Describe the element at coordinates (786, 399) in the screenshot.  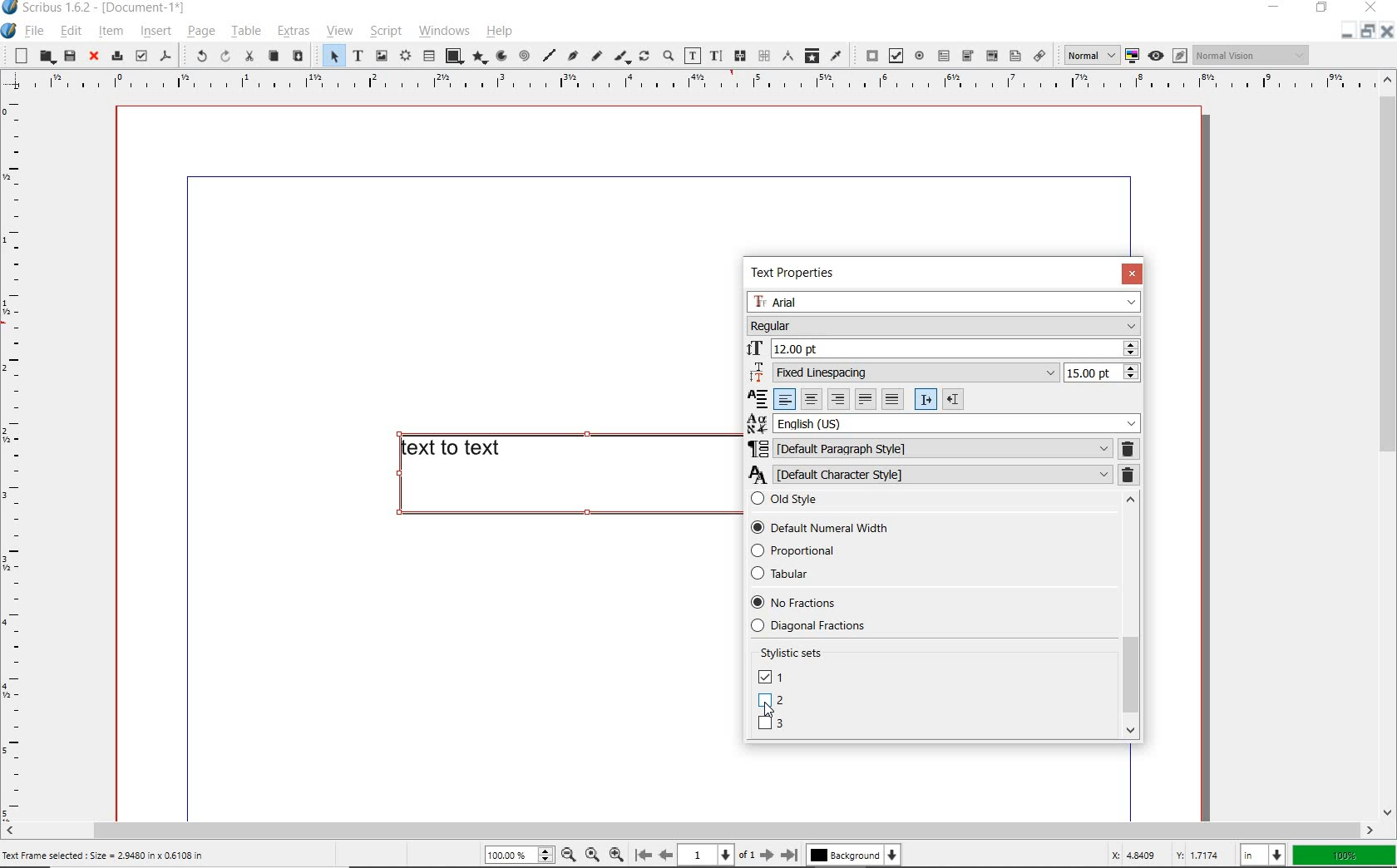
I see `Left align` at that location.